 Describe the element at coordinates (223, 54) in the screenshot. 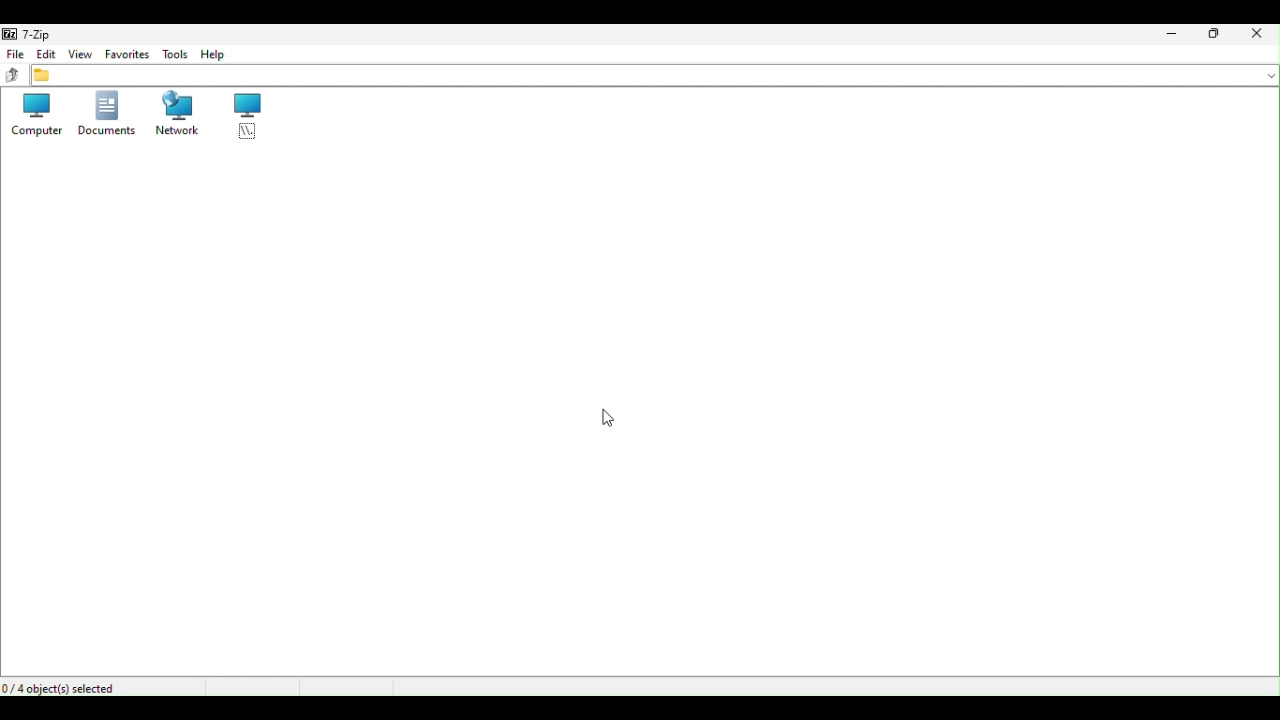

I see `Help` at that location.